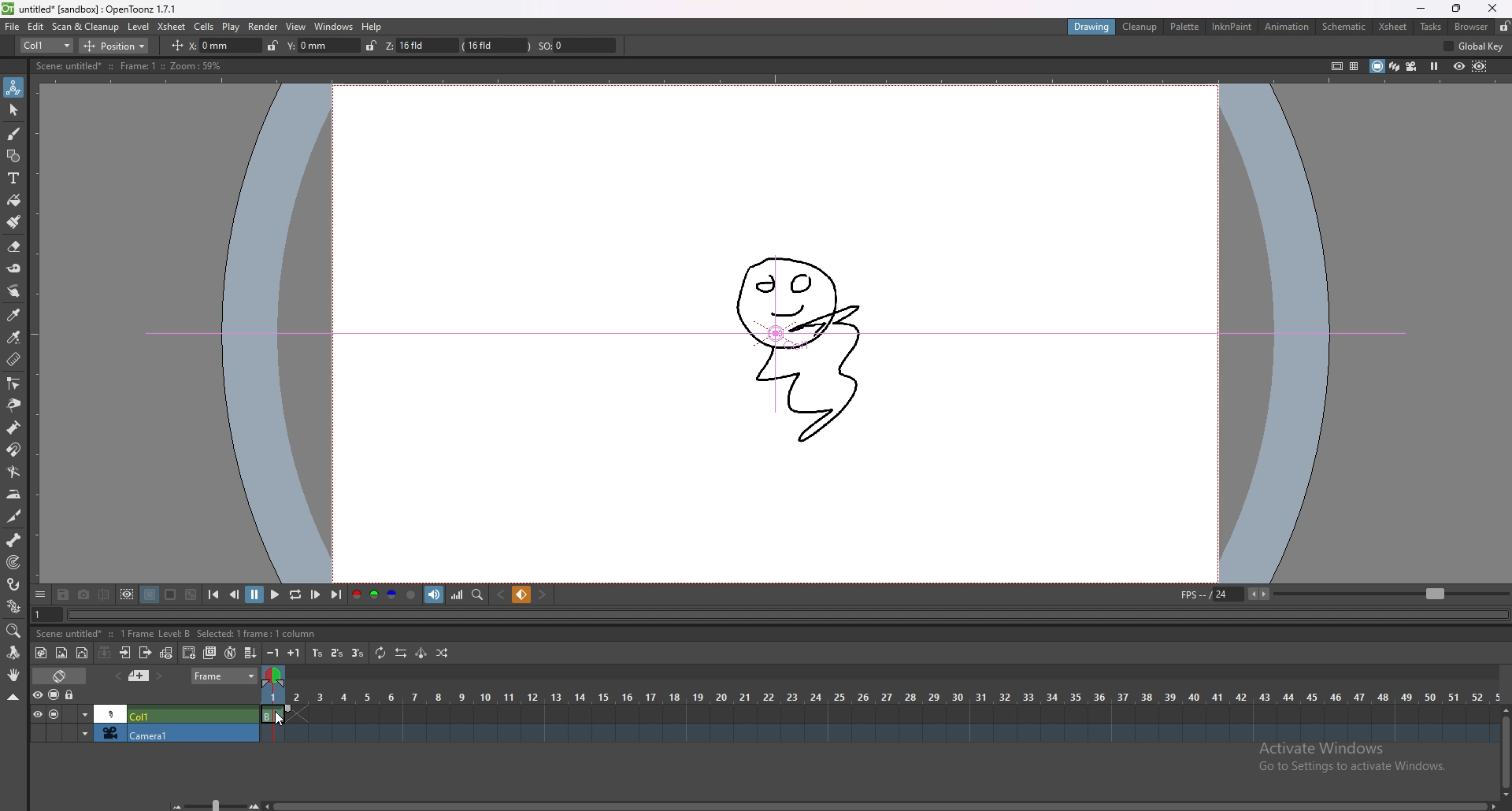 The image size is (1512, 811). What do you see at coordinates (14, 135) in the screenshot?
I see `brush` at bounding box center [14, 135].